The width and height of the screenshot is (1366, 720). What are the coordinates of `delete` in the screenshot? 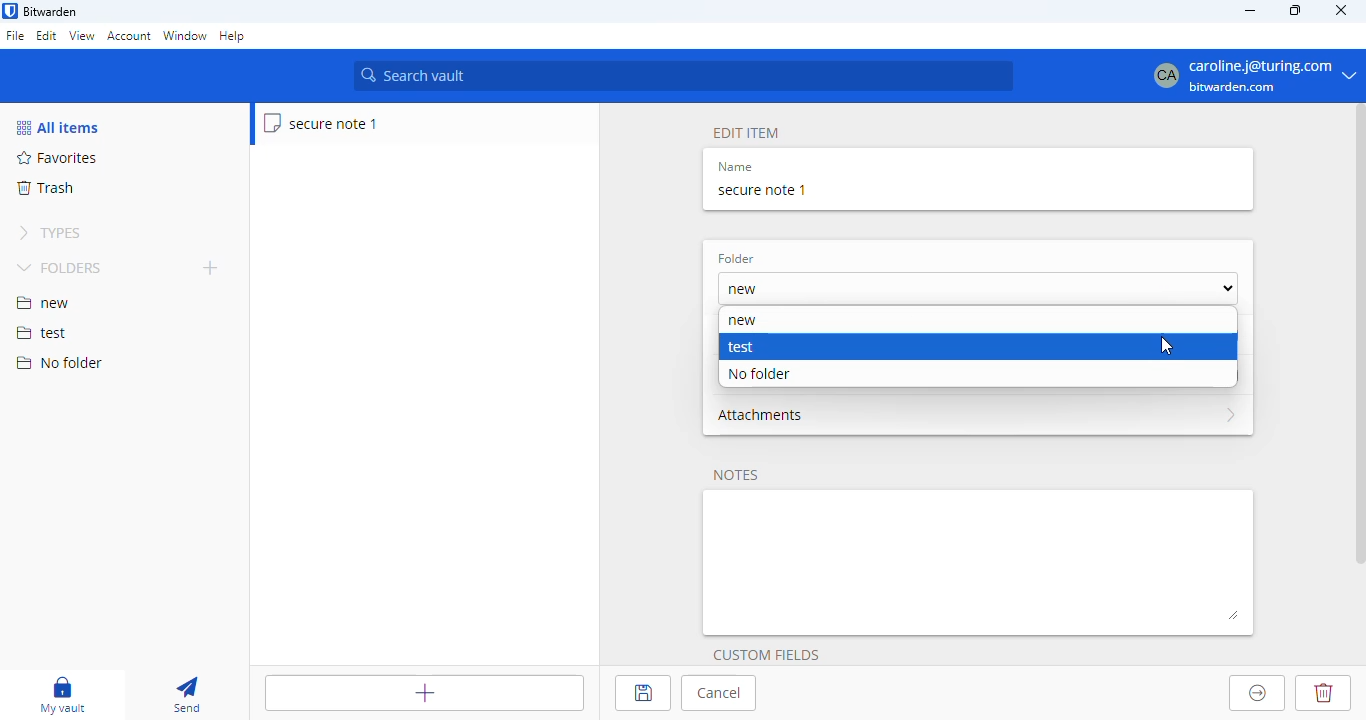 It's located at (1322, 693).